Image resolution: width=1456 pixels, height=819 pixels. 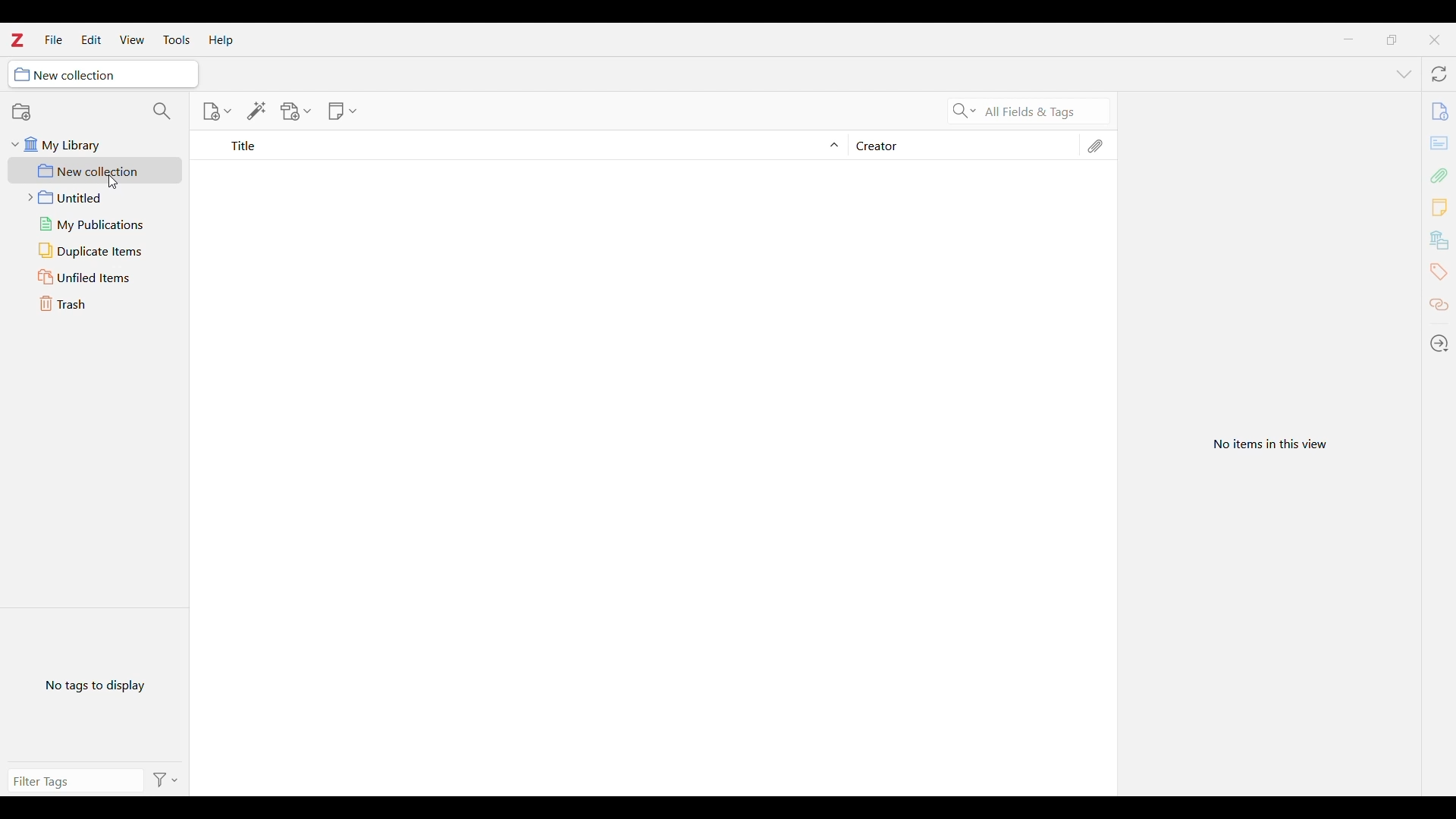 I want to click on My publications folder, so click(x=97, y=224).